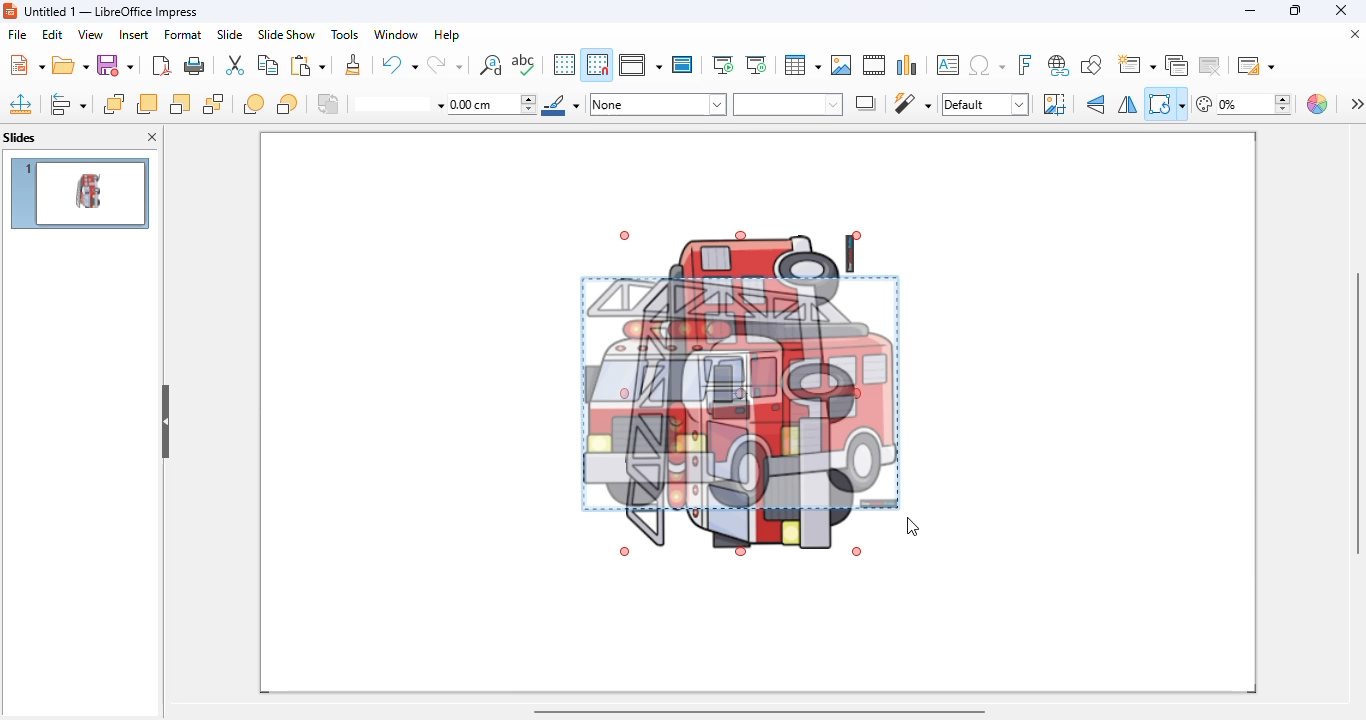 The image size is (1366, 720). What do you see at coordinates (1319, 104) in the screenshot?
I see `color` at bounding box center [1319, 104].